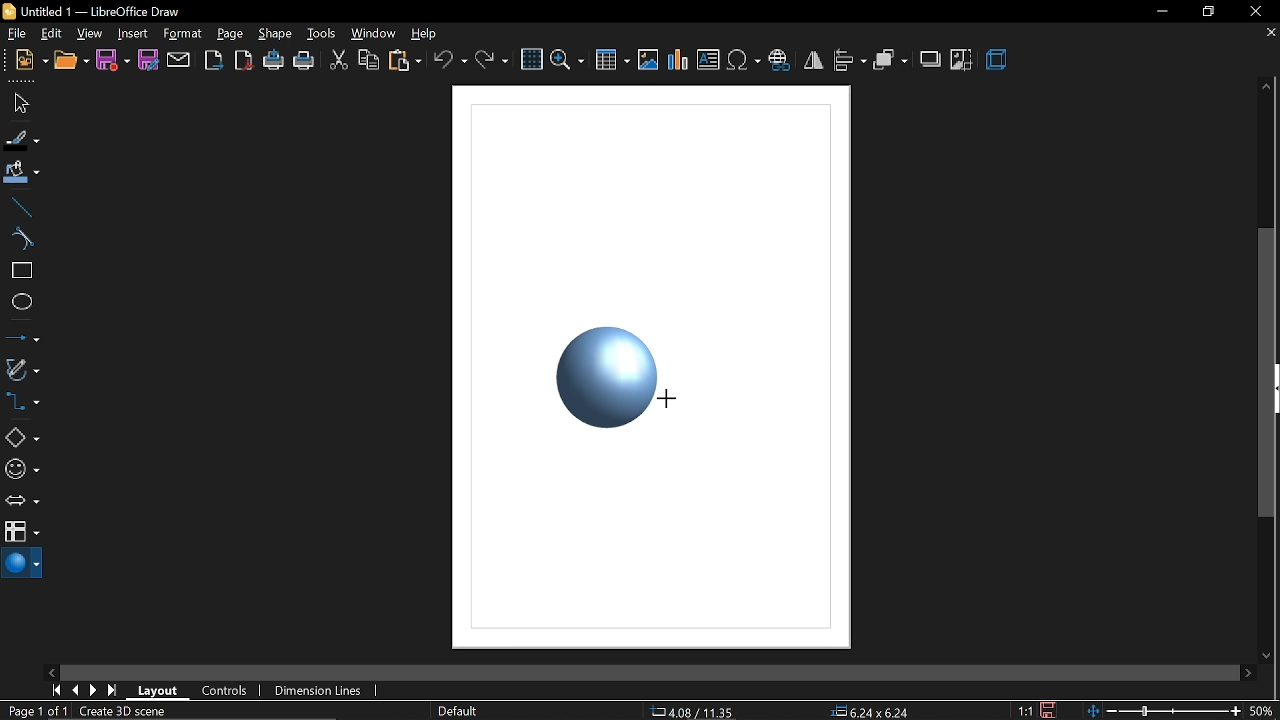  I want to click on export as pdf, so click(242, 61).